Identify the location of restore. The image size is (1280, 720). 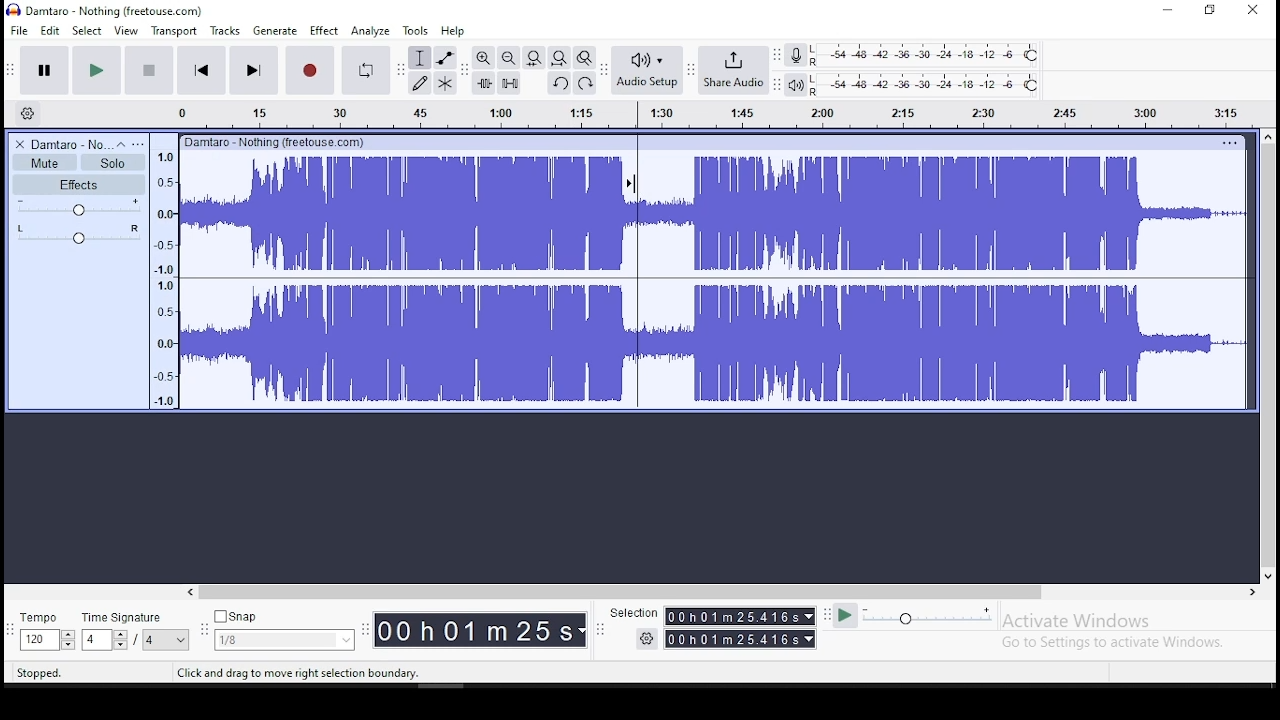
(1210, 11).